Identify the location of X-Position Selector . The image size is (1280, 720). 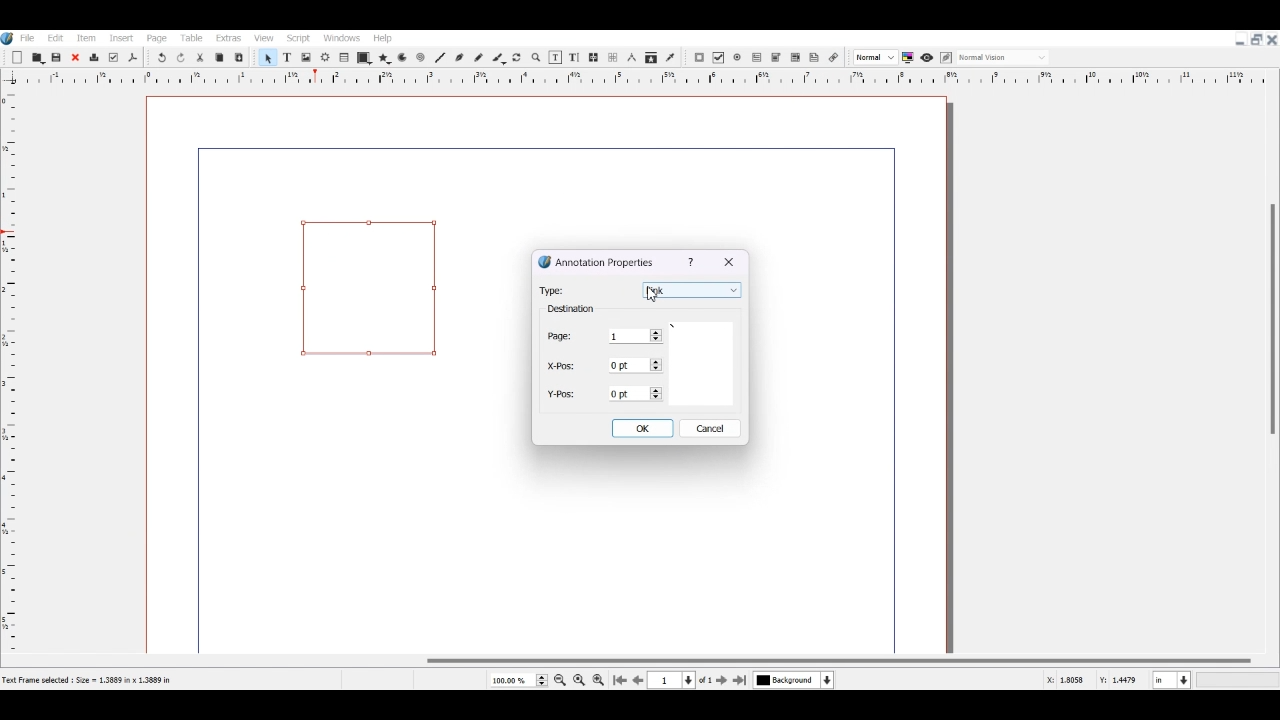
(604, 365).